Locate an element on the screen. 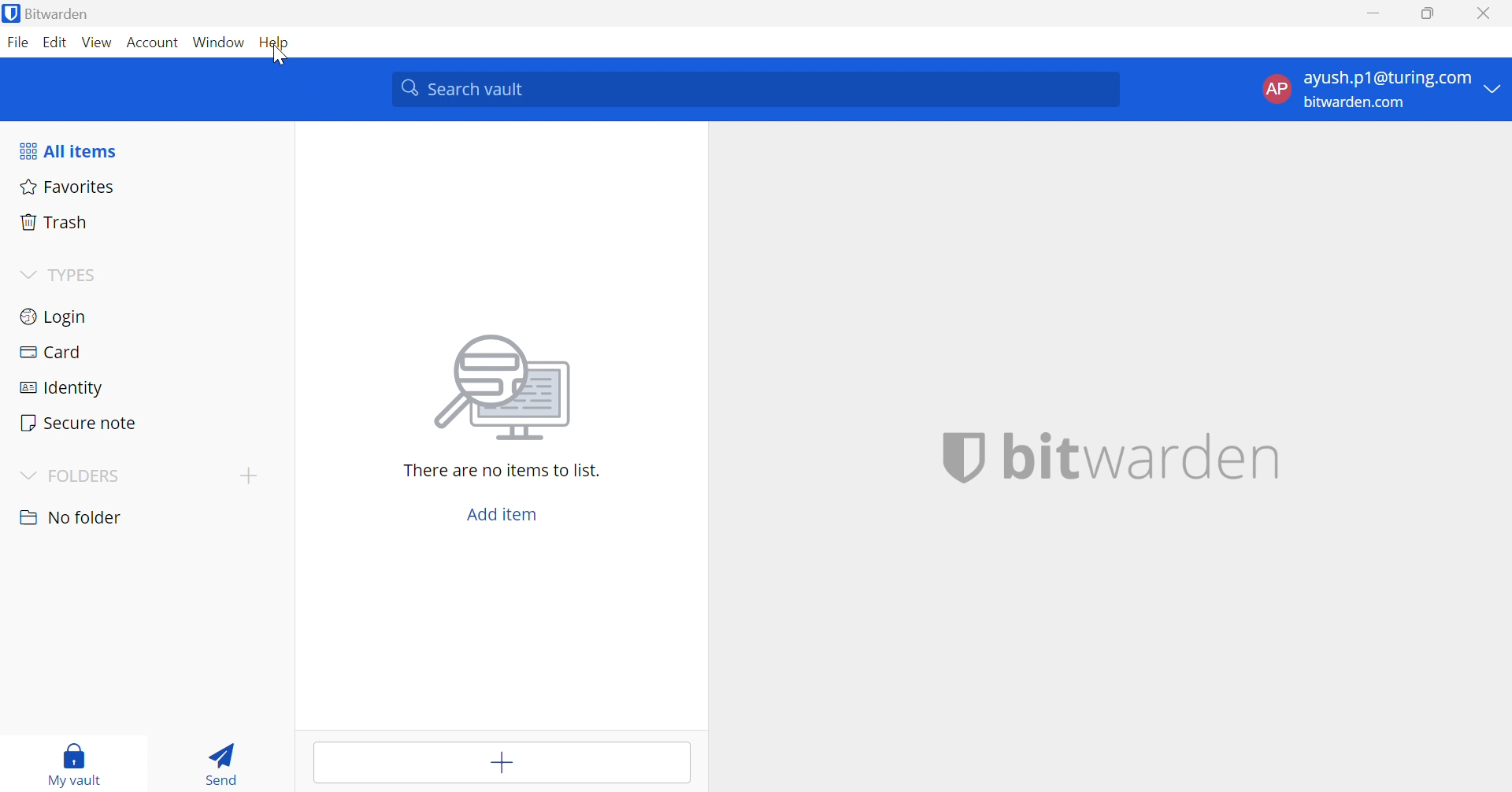 This screenshot has height=792, width=1512. Edit is located at coordinates (57, 43).